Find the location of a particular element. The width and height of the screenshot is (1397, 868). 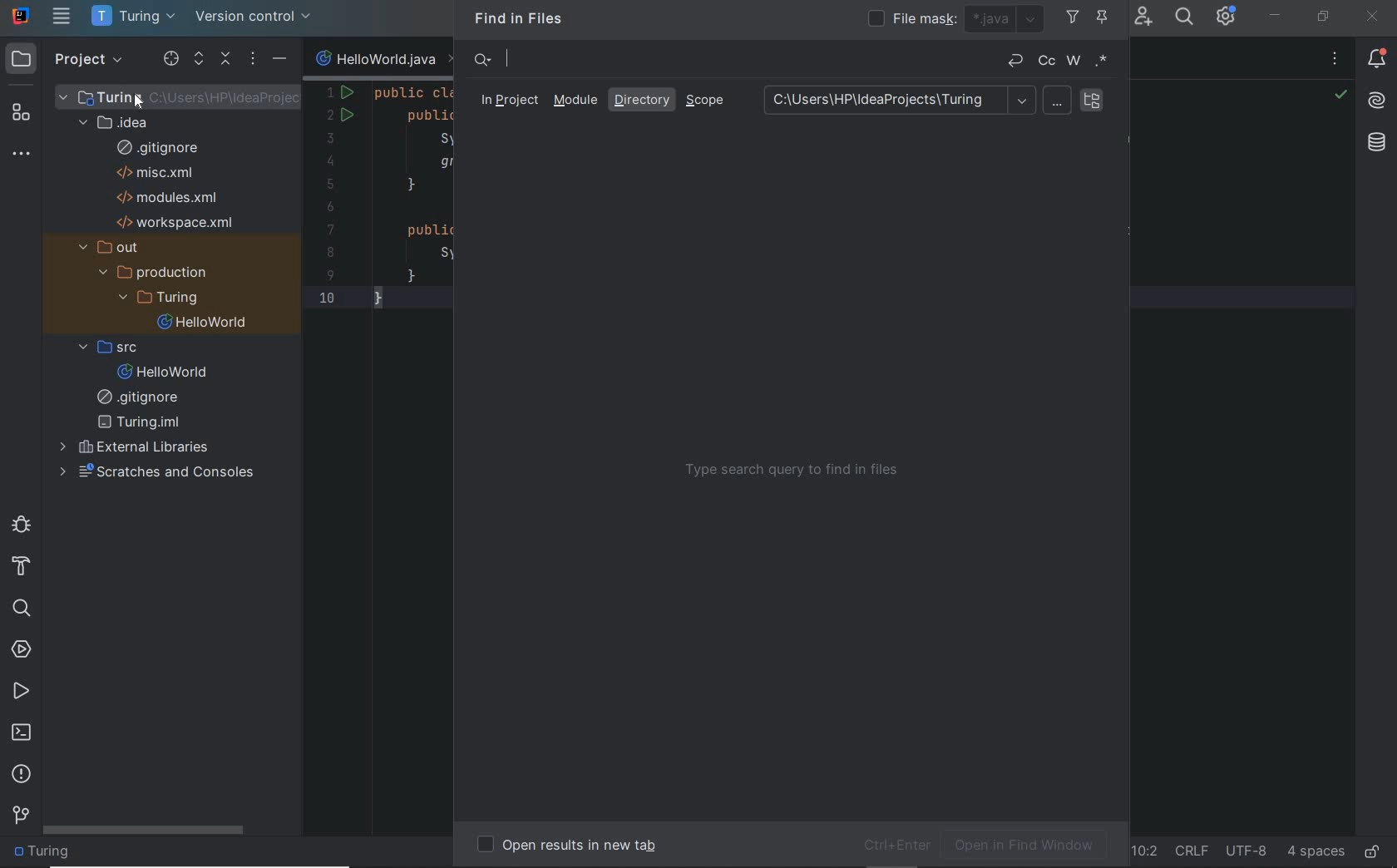

new line is located at coordinates (1015, 60).